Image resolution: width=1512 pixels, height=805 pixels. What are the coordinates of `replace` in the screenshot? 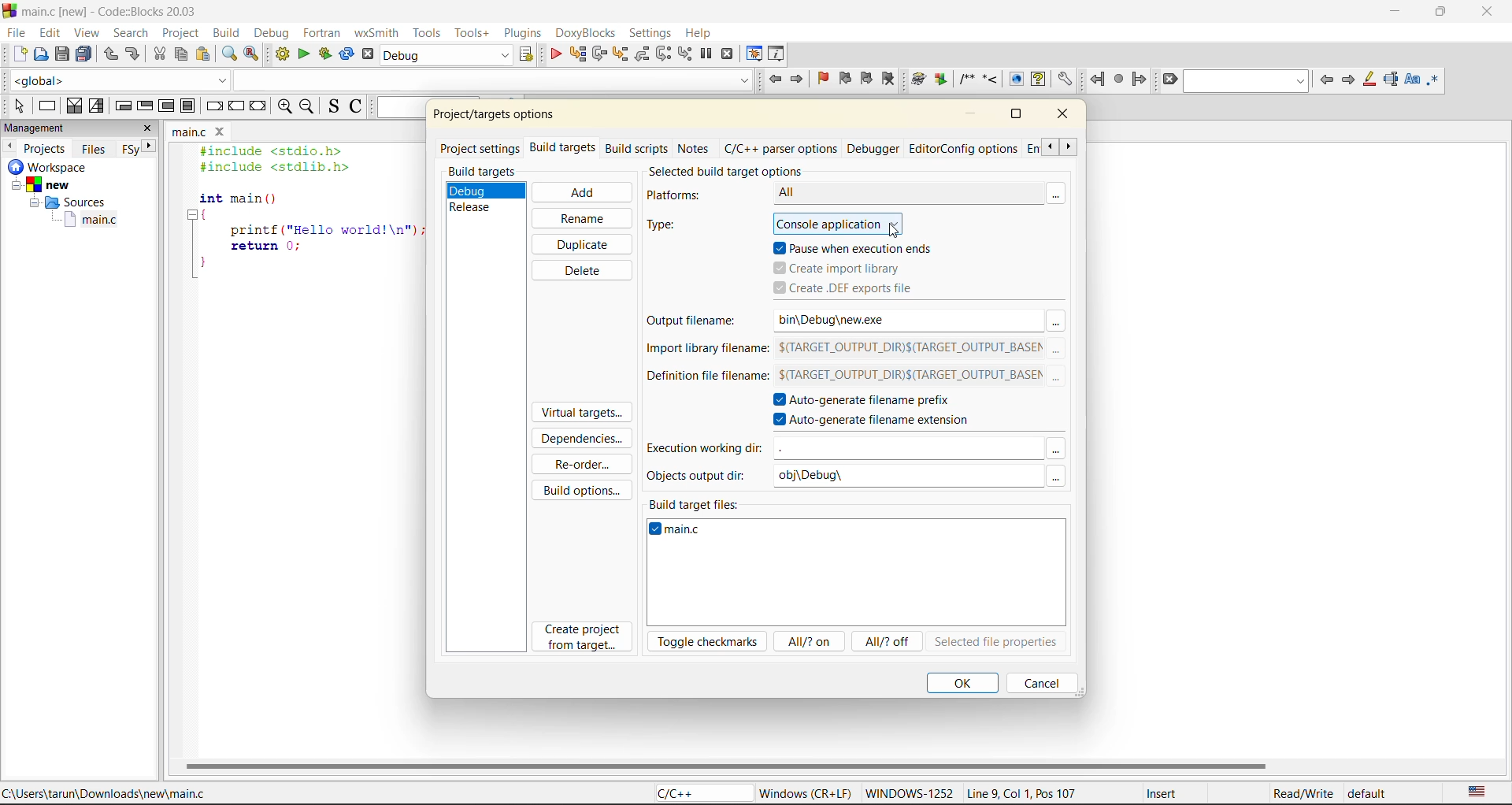 It's located at (254, 54).